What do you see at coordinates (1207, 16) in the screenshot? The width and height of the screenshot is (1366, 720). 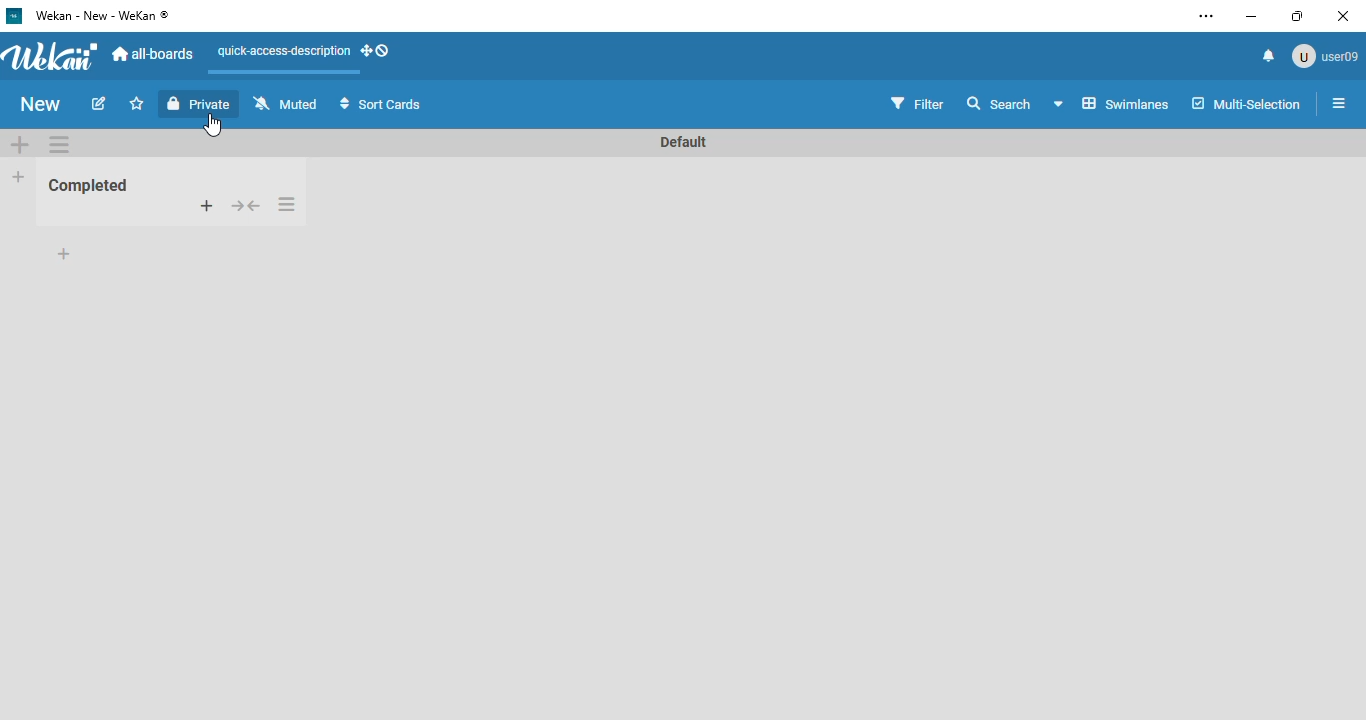 I see `settings and more` at bounding box center [1207, 16].